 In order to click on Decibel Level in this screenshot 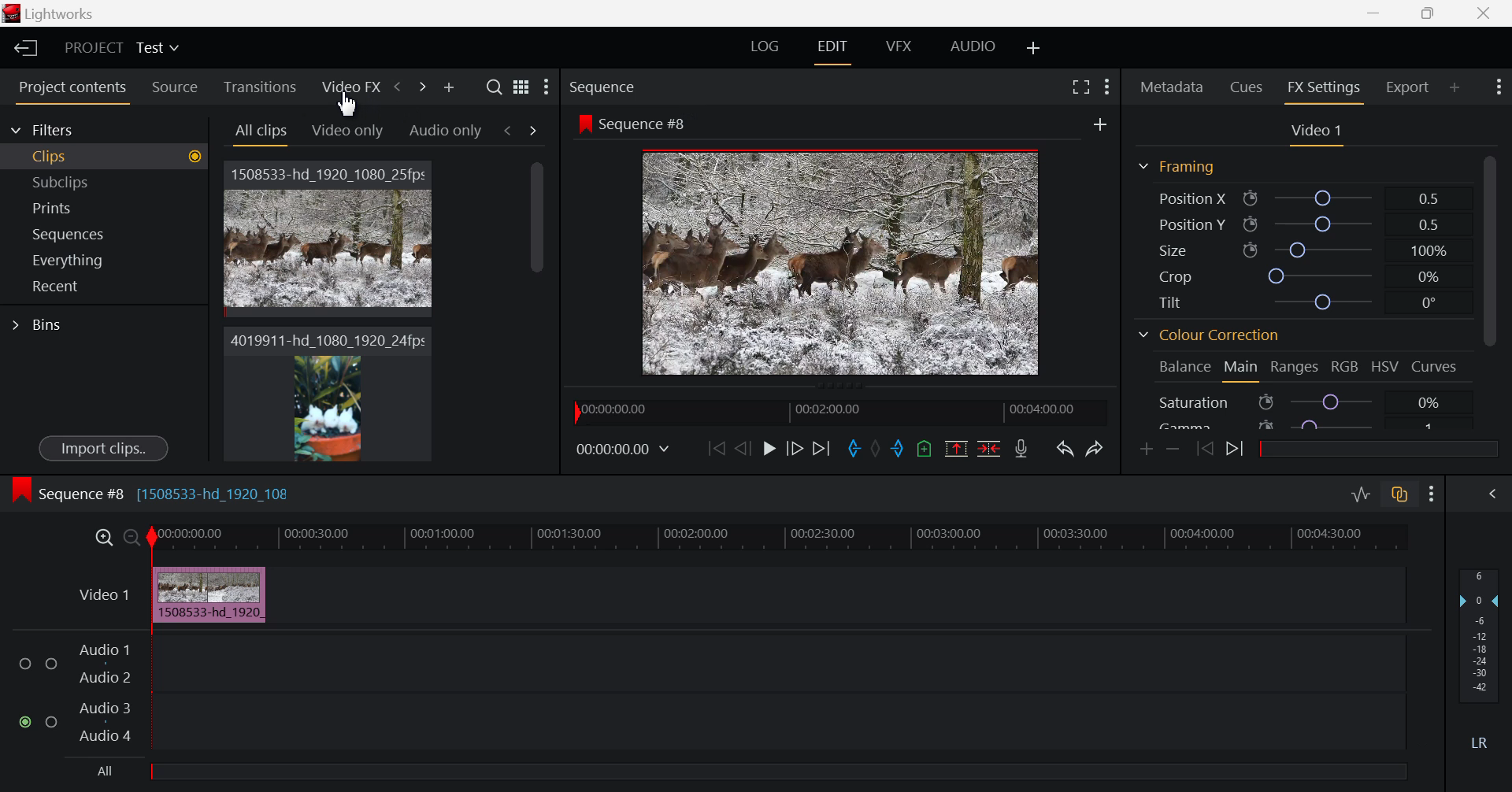, I will do `click(1480, 662)`.